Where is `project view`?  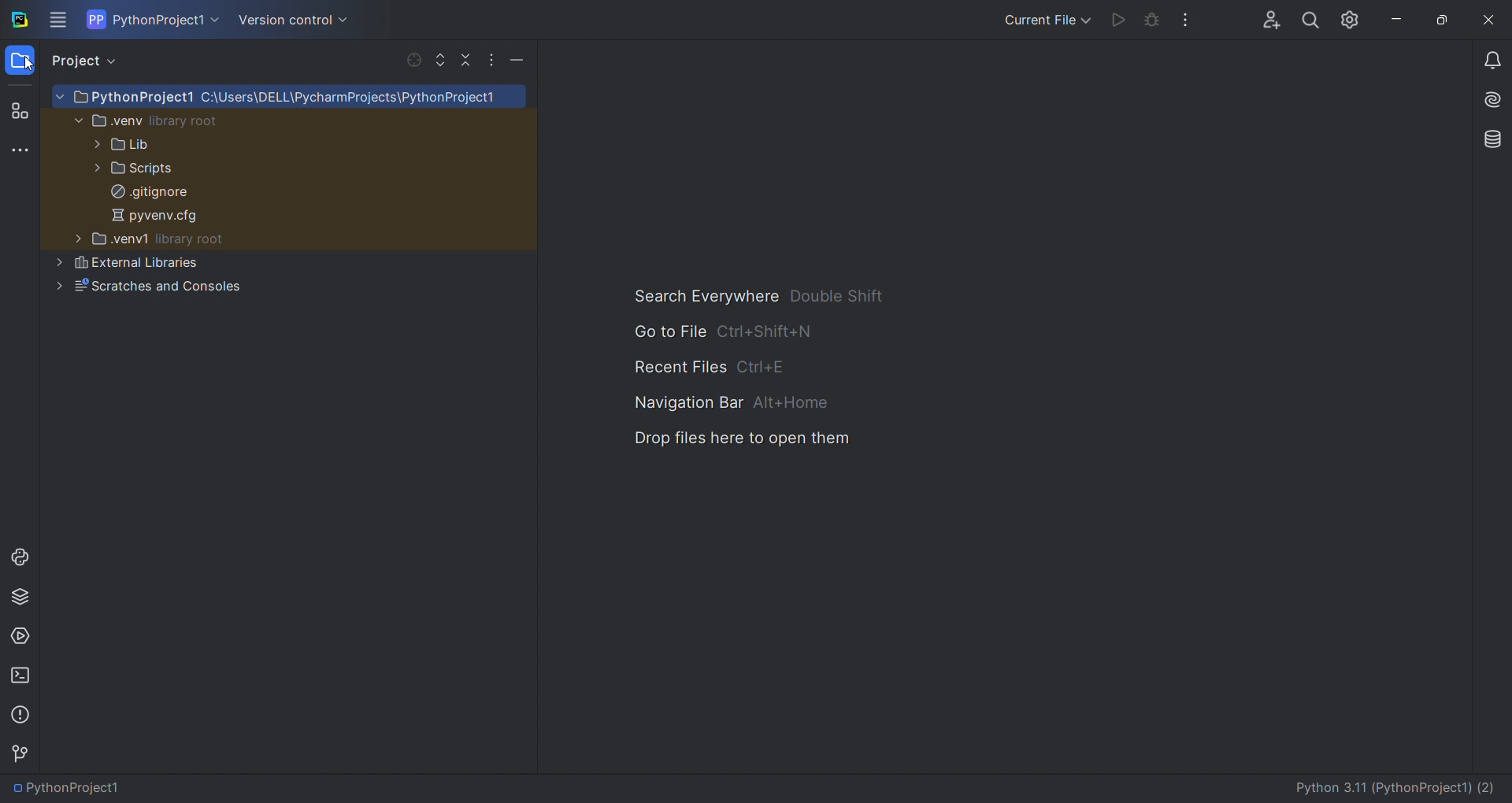 project view is located at coordinates (89, 61).